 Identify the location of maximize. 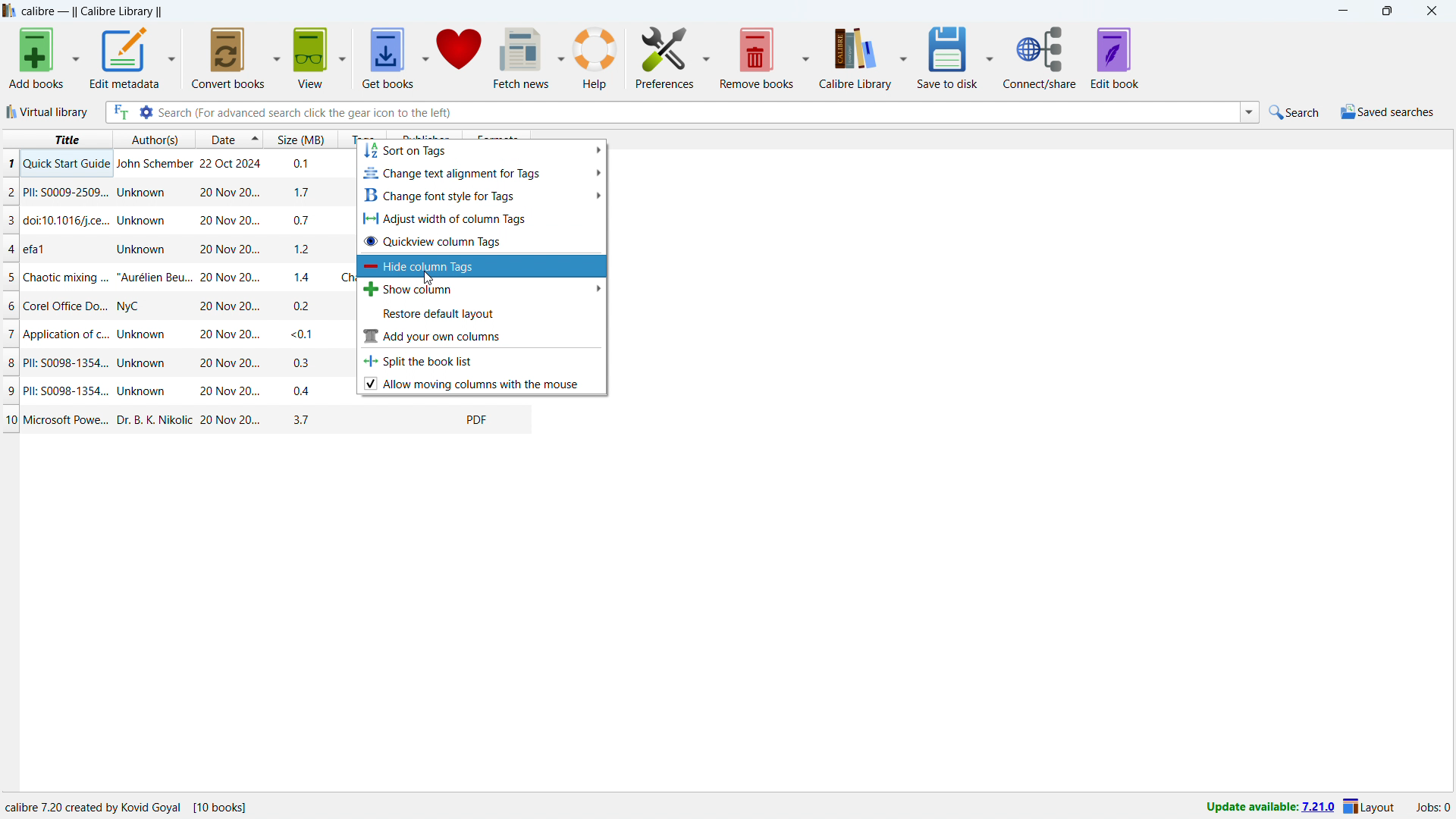
(1385, 11).